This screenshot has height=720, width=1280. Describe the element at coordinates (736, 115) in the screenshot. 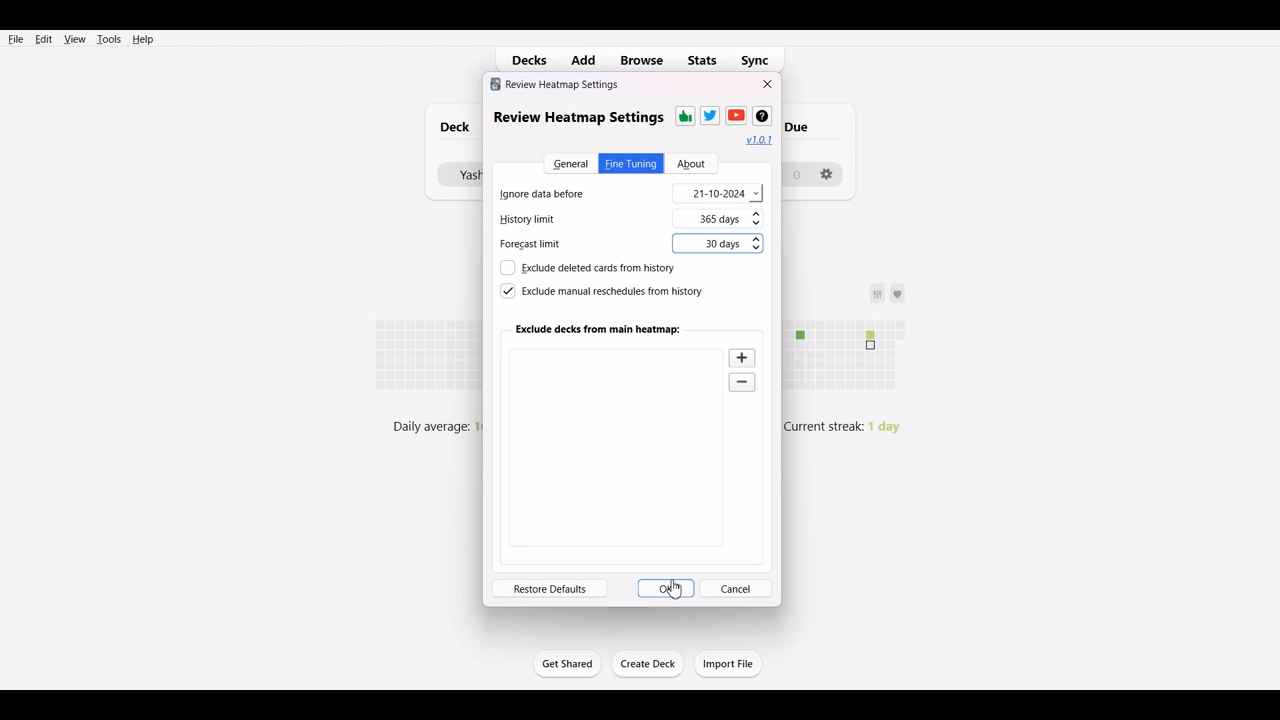

I see `Youtube` at that location.